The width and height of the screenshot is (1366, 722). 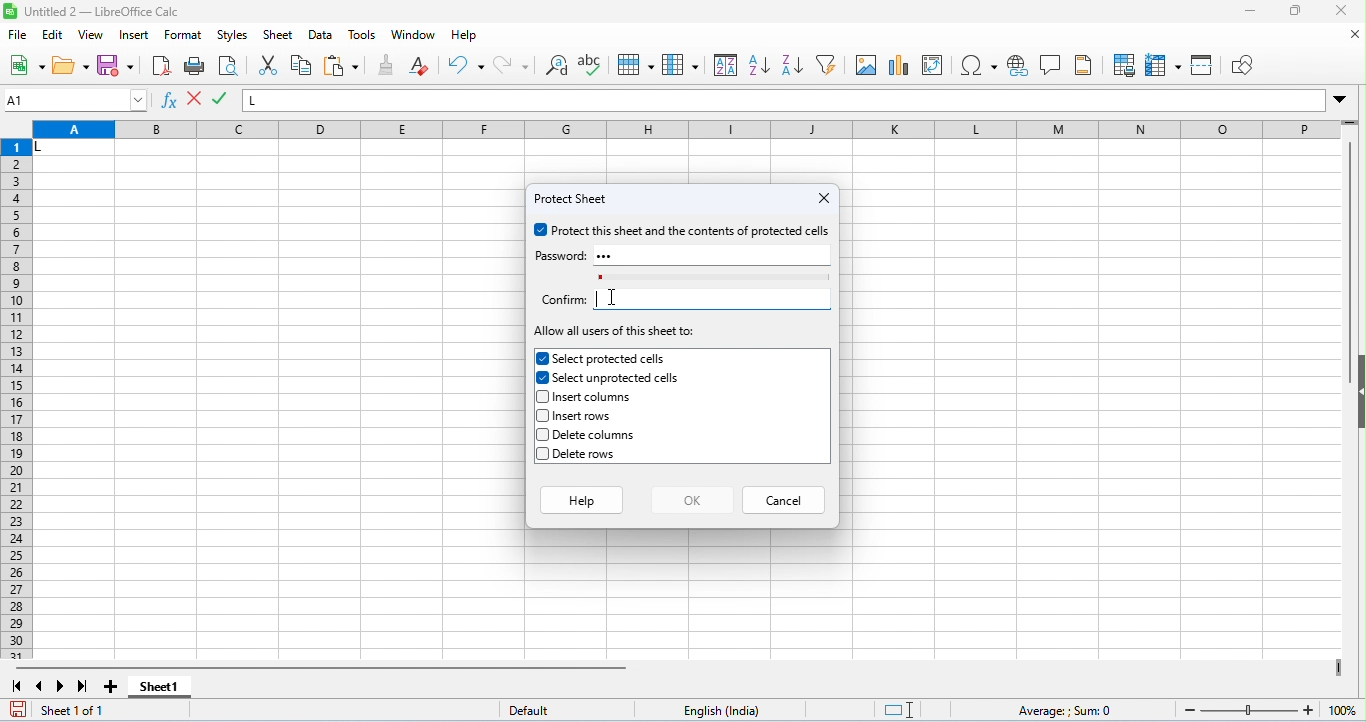 I want to click on drag to view next columns, so click(x=1338, y=667).